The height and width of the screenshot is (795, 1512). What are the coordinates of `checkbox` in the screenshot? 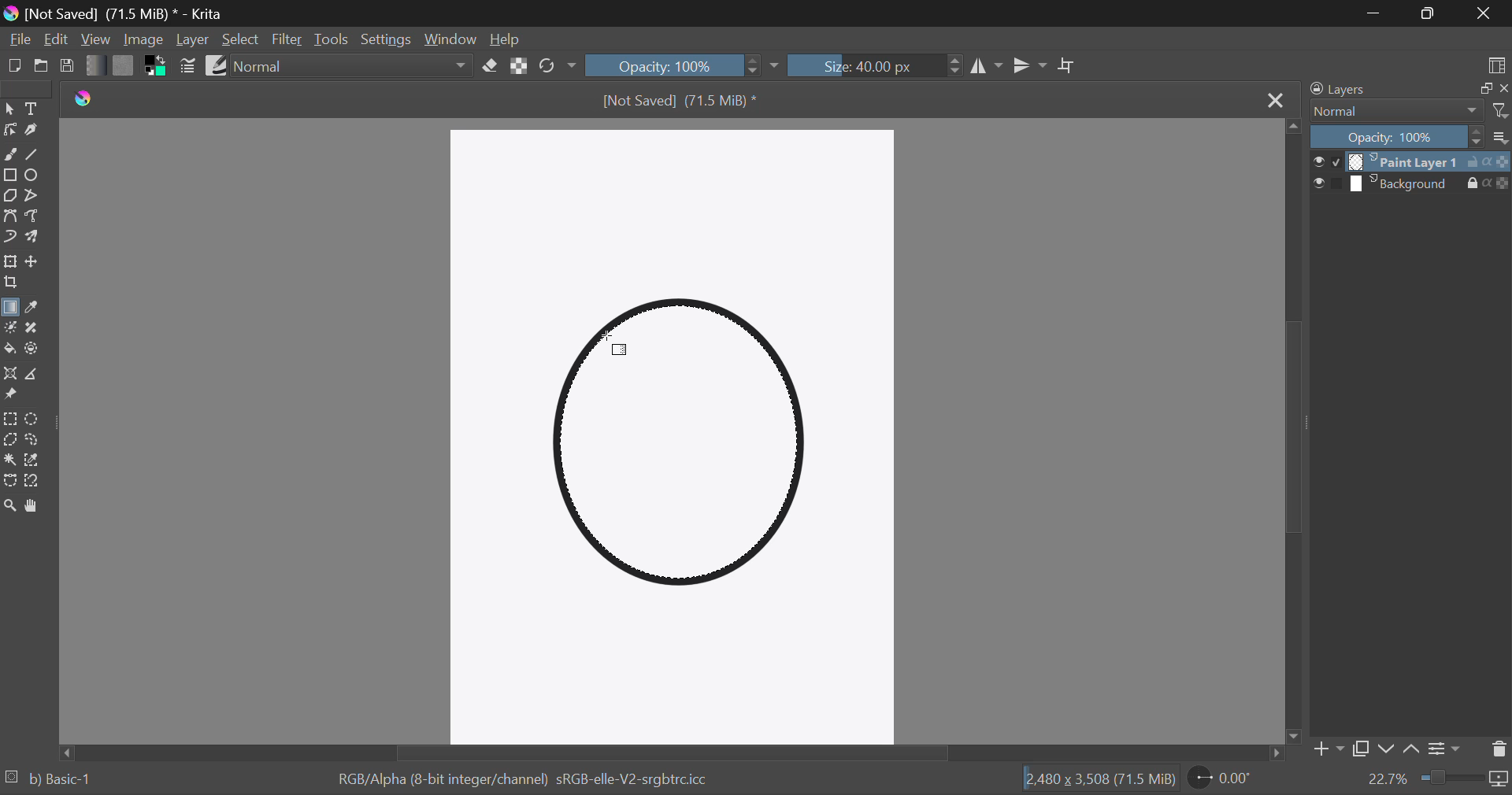 It's located at (1329, 183).